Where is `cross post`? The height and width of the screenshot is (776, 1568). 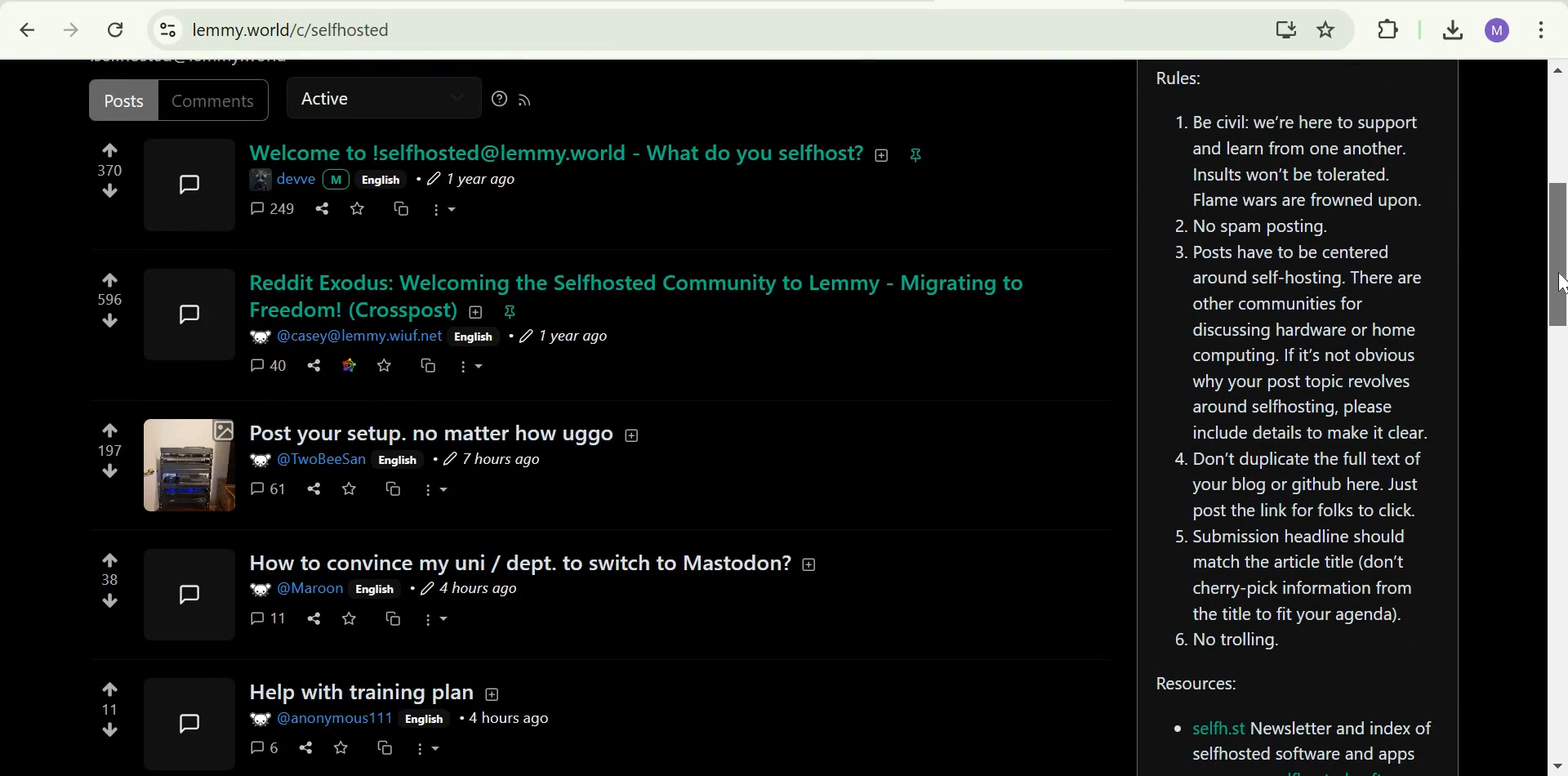
cross post is located at coordinates (400, 208).